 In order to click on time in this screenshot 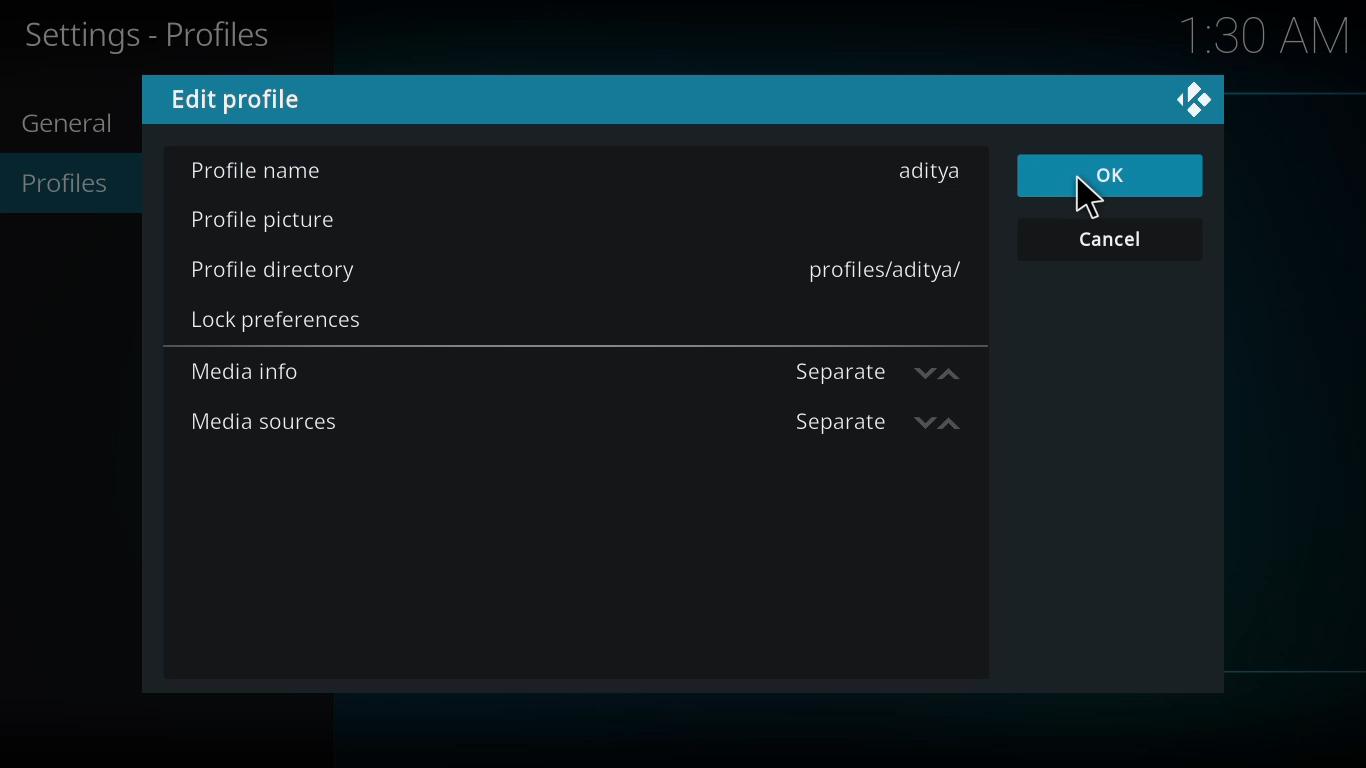, I will do `click(1268, 36)`.